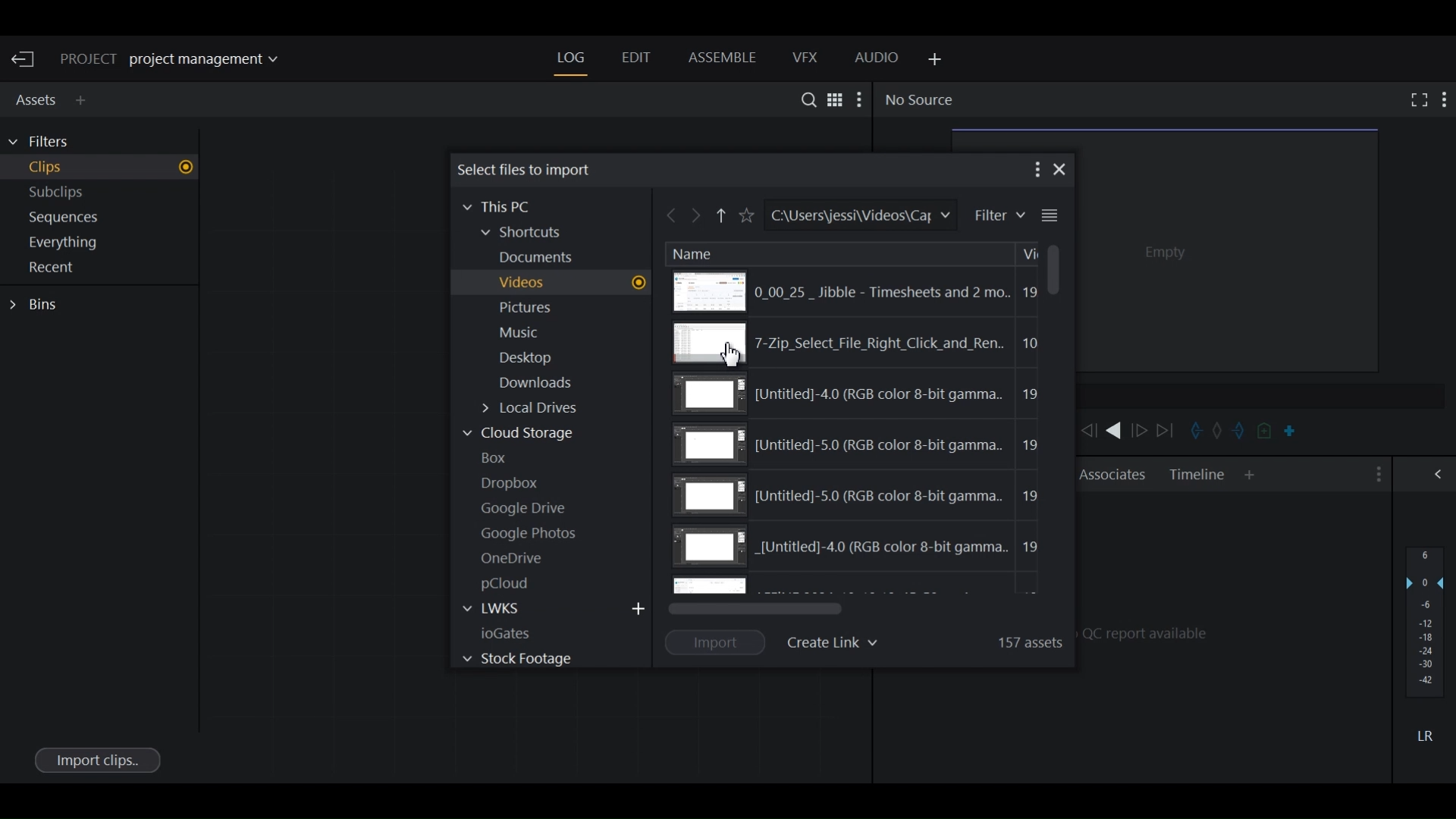  What do you see at coordinates (1052, 269) in the screenshot?
I see `Vertical Scroll bar` at bounding box center [1052, 269].